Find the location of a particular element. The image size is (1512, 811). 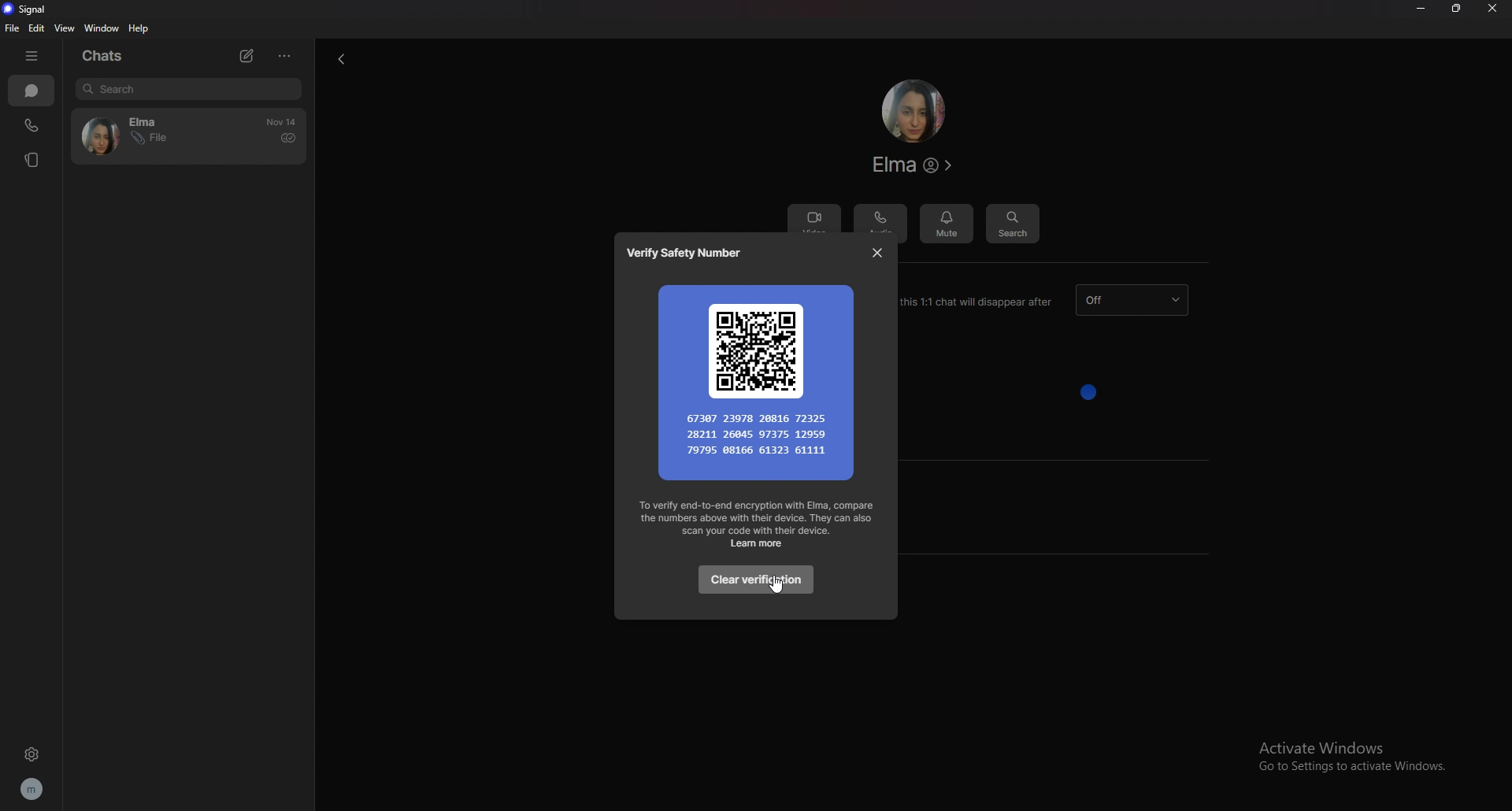

close is located at coordinates (1492, 9).